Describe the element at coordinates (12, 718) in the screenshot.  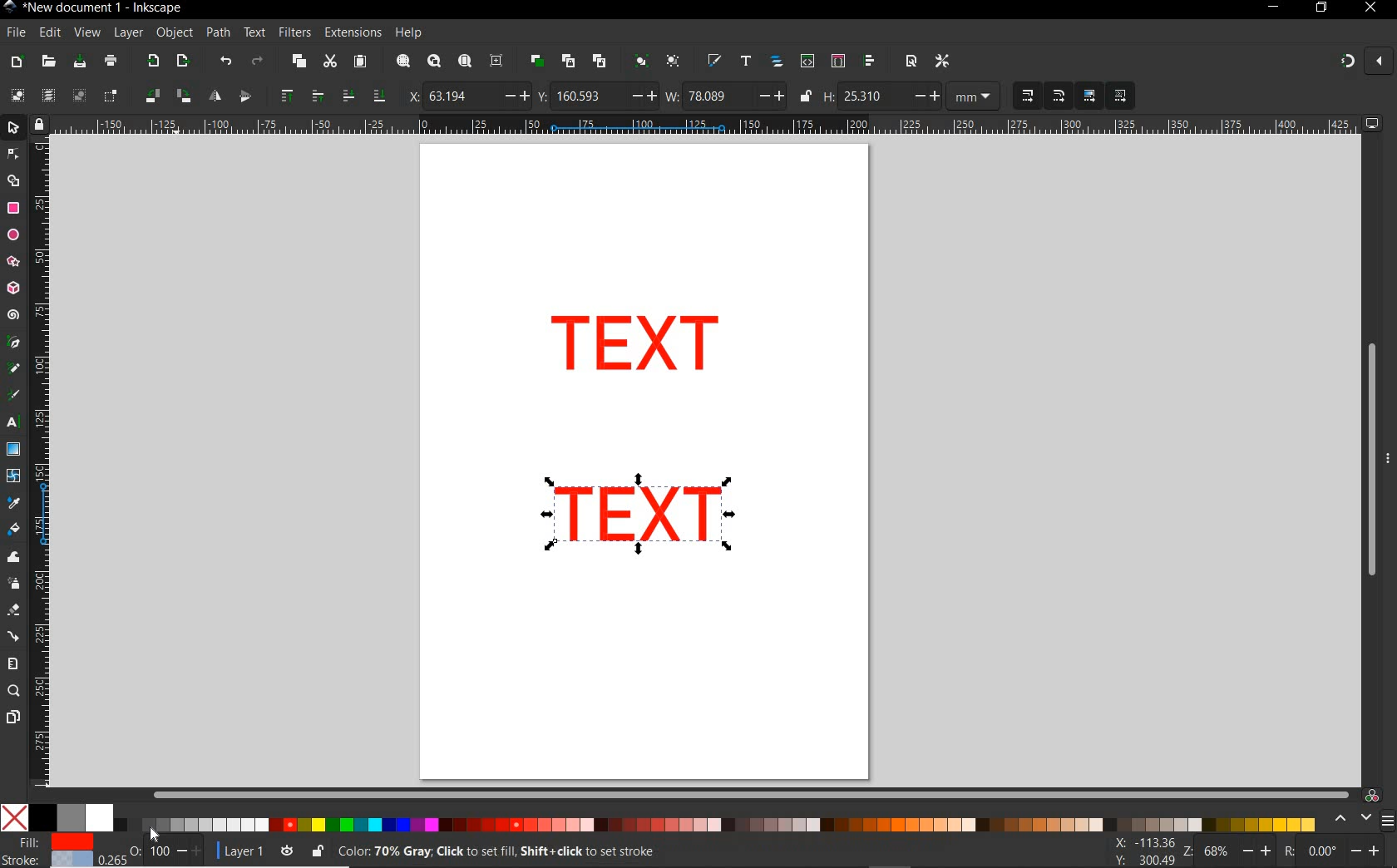
I see `pages tool` at that location.